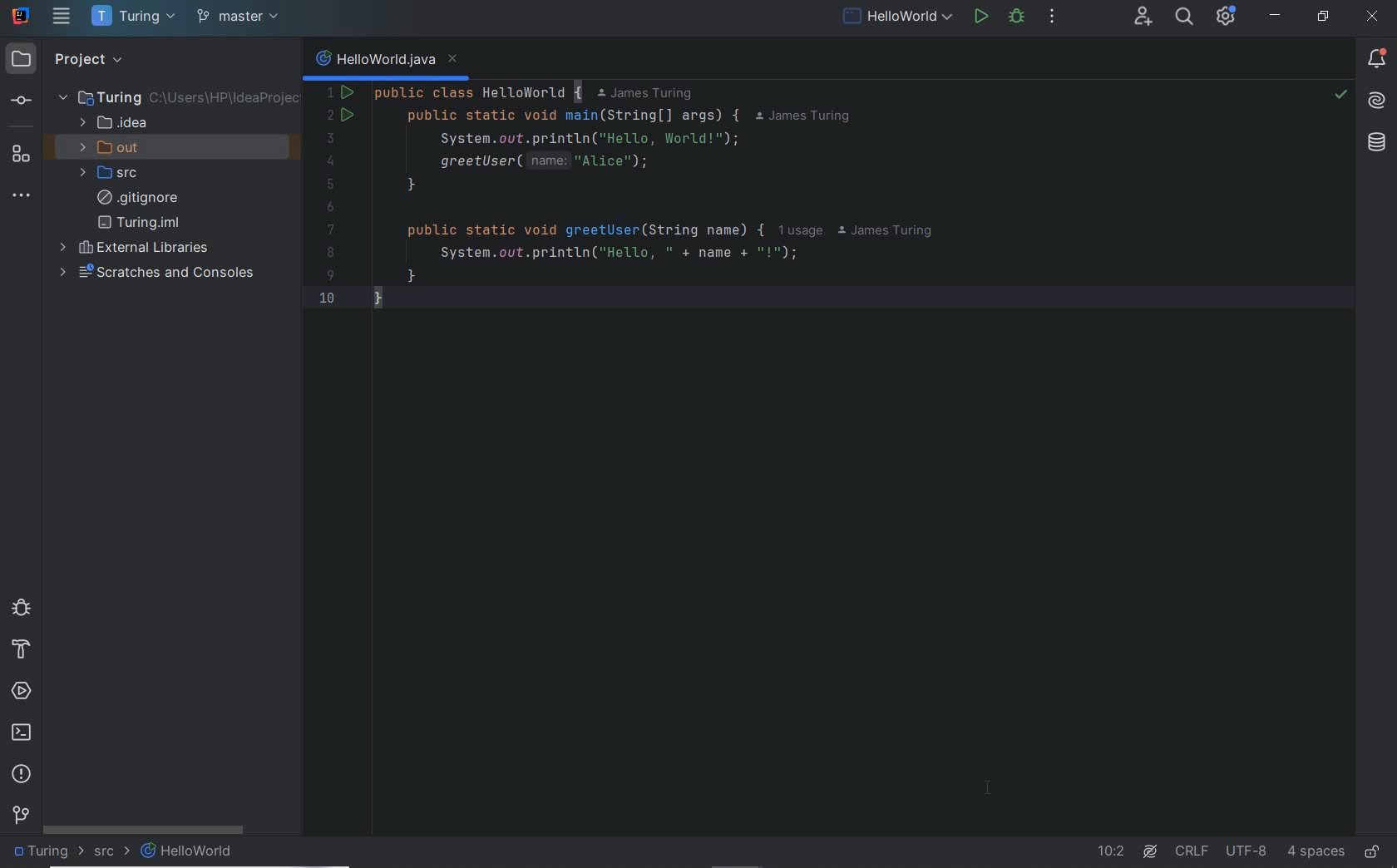 The width and height of the screenshot is (1397, 868). I want to click on Turing (project name), so click(38, 856).